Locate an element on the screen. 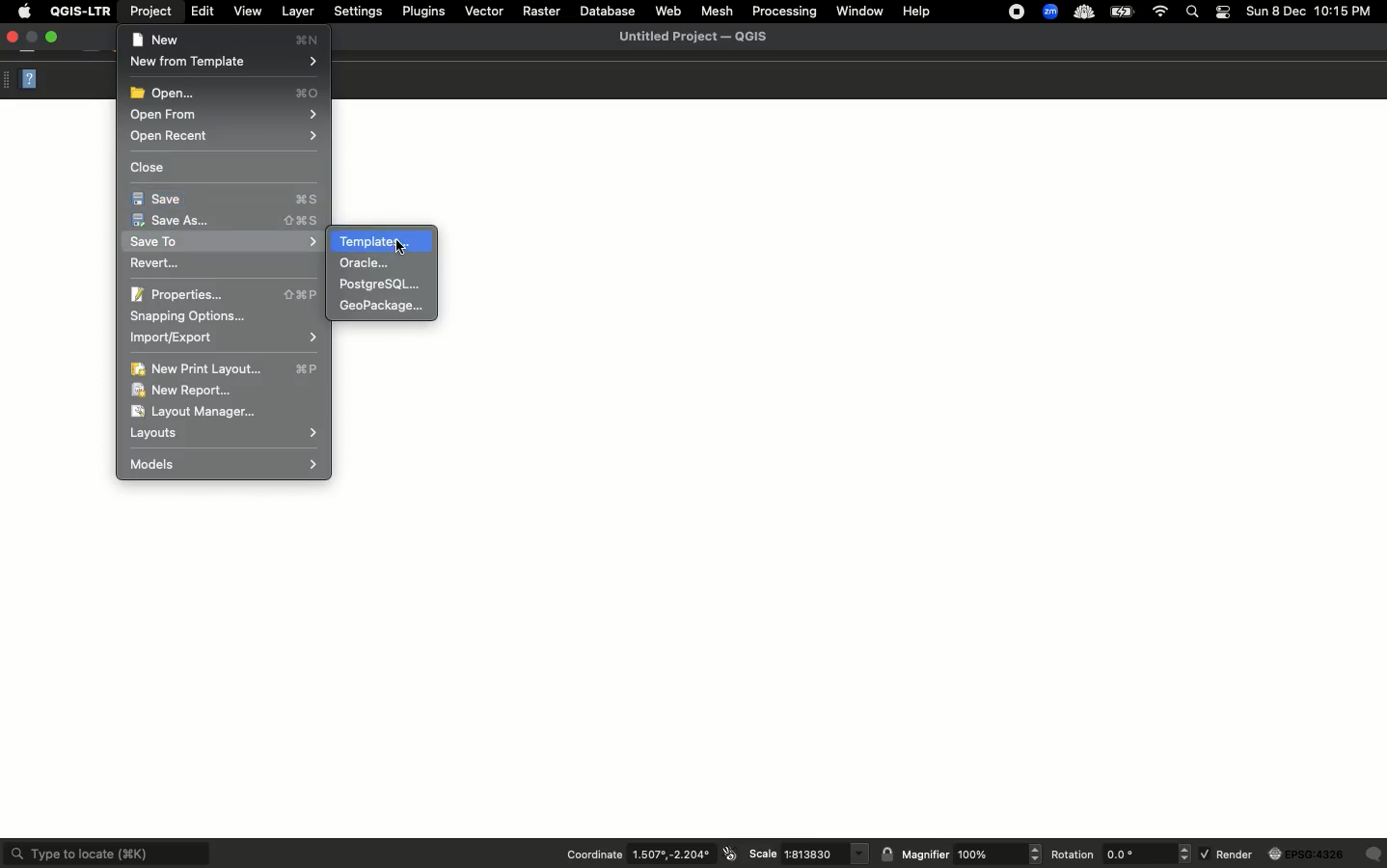 This screenshot has height=868, width=1387. Maximize is located at coordinates (56, 38).